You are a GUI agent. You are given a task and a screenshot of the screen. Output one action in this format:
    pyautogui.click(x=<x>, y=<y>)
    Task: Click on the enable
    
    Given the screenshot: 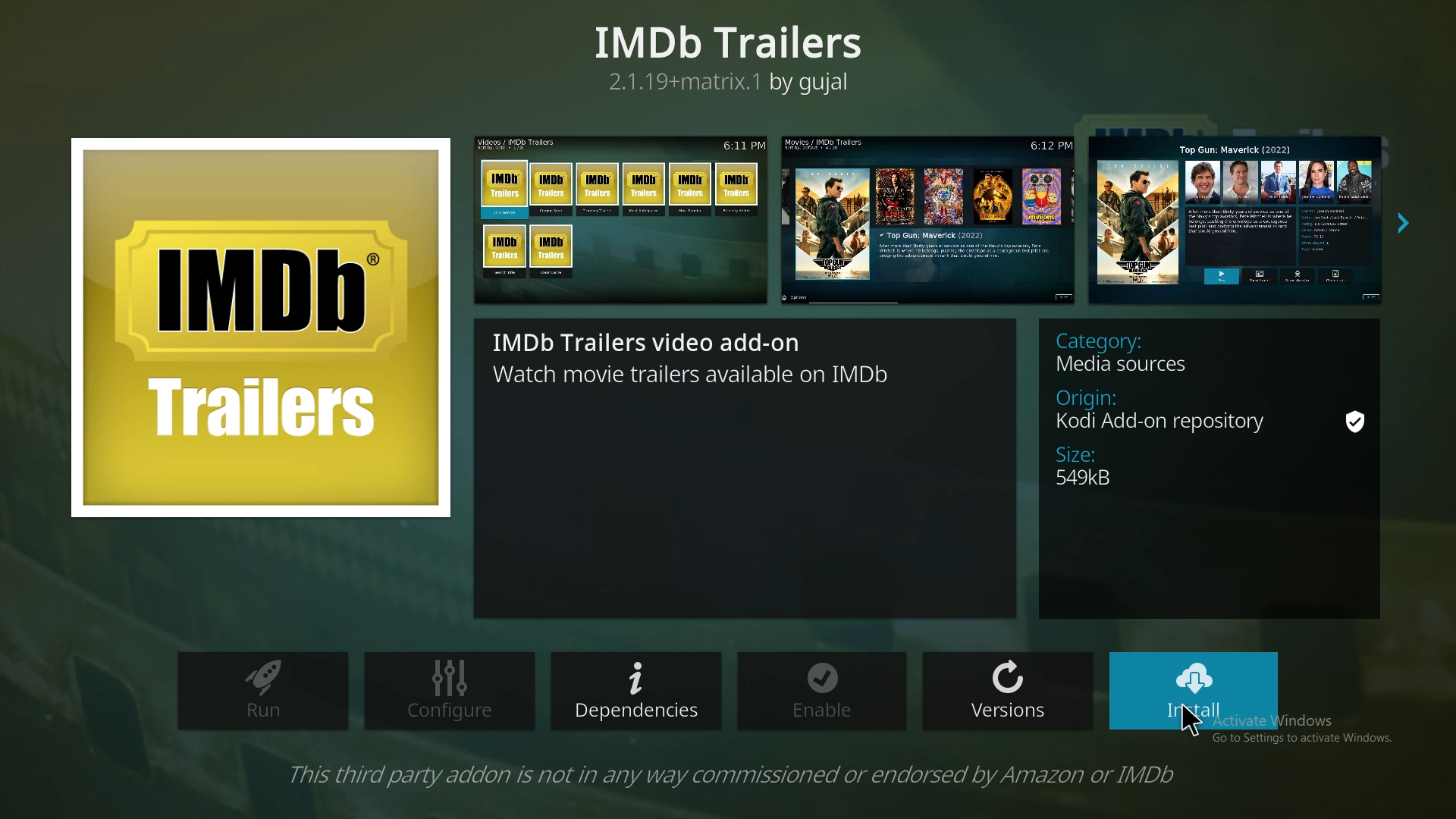 What is the action you would take?
    pyautogui.click(x=827, y=692)
    